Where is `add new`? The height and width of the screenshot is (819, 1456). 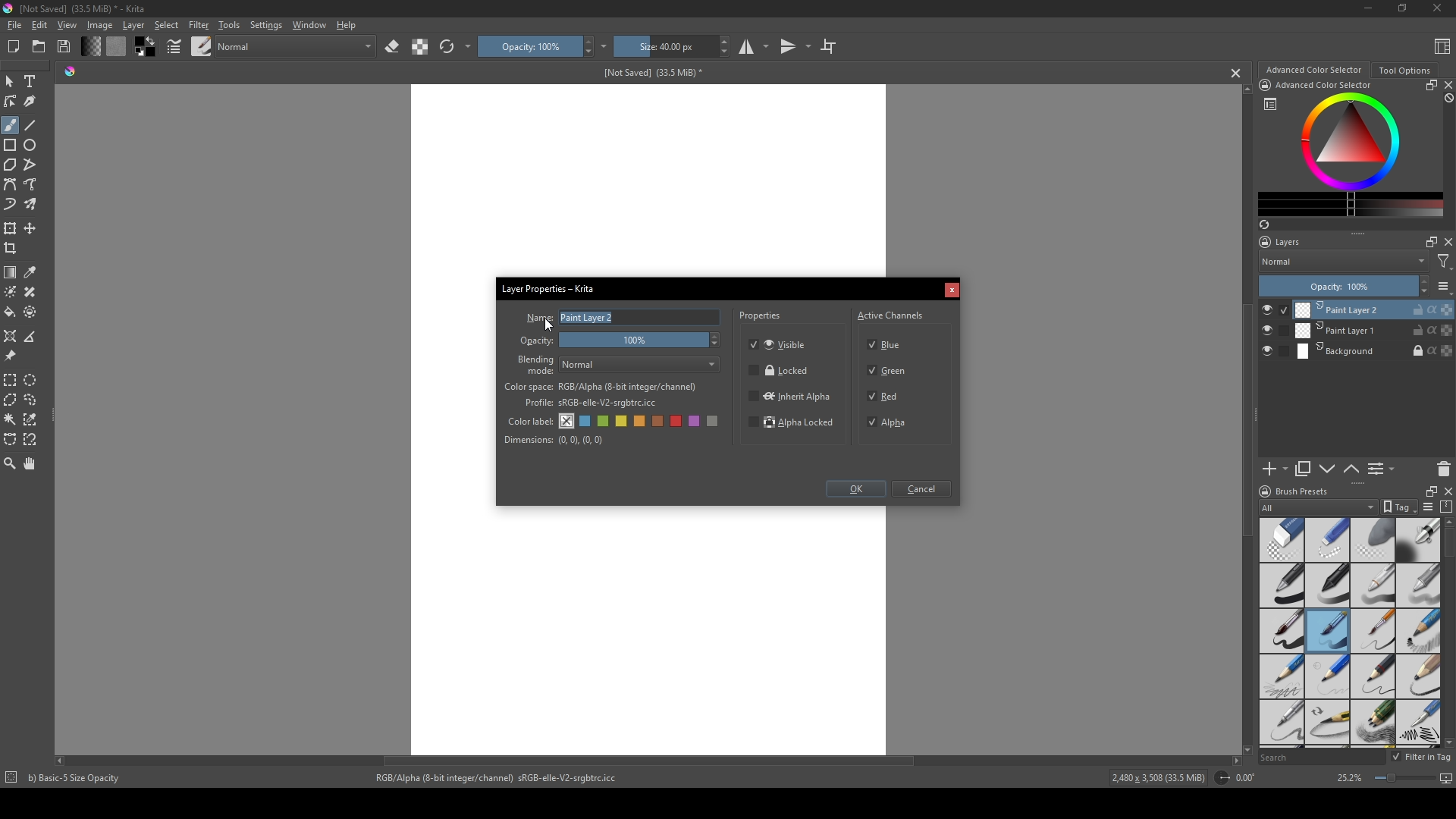 add new is located at coordinates (1274, 469).